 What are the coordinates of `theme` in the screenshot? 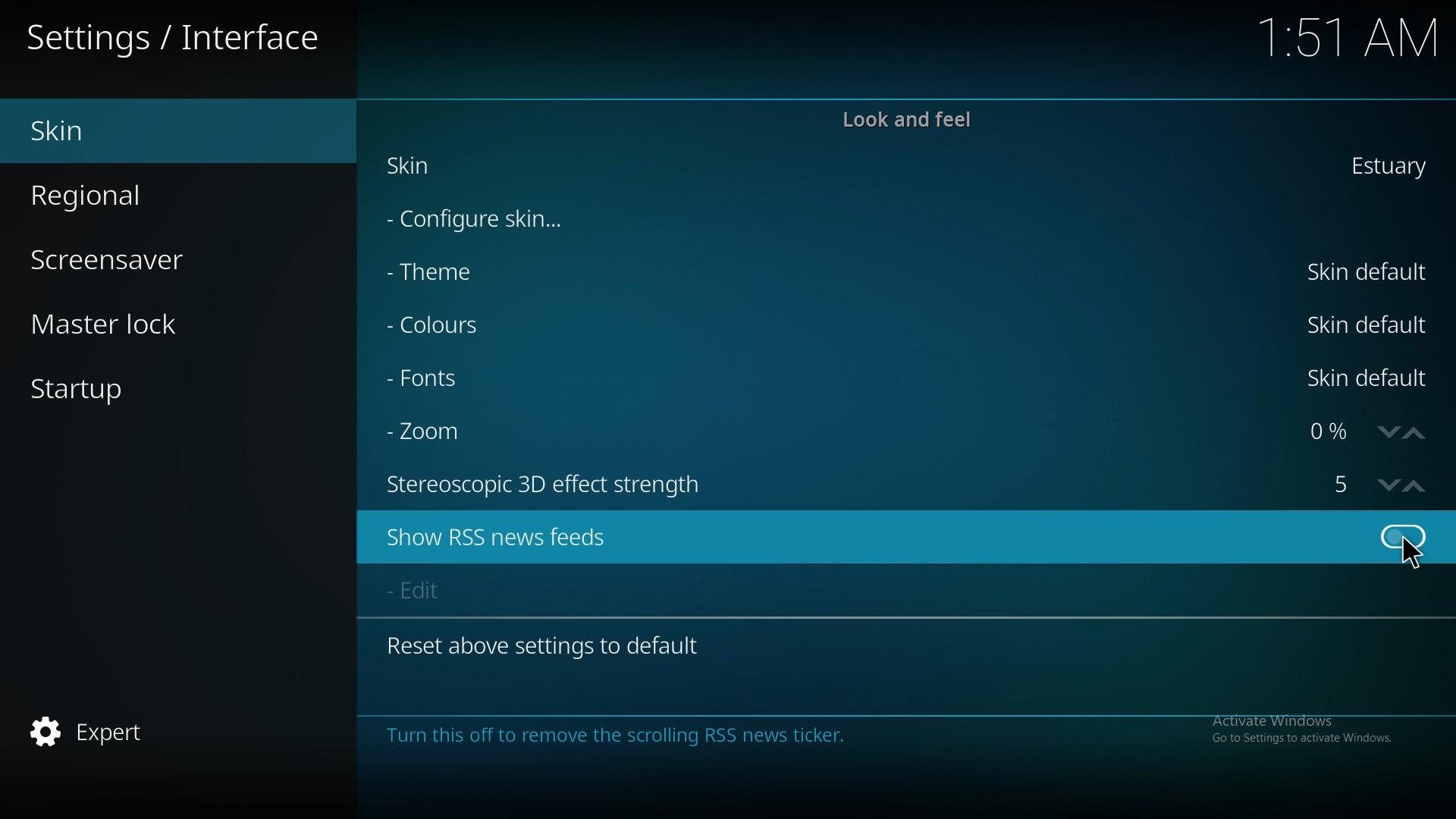 It's located at (446, 272).